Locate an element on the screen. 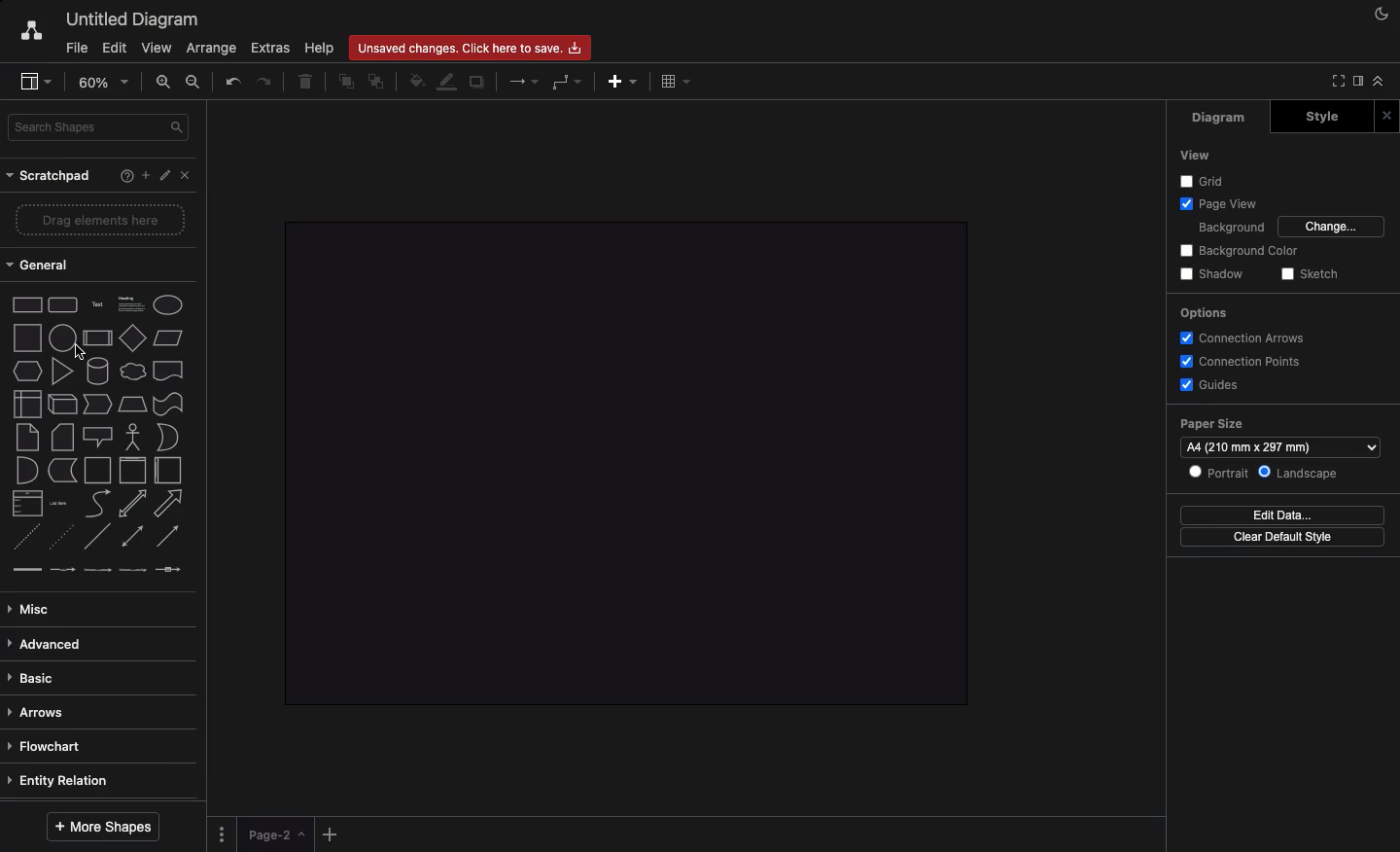 The image size is (1400, 852). Shape is located at coordinates (22, 336).